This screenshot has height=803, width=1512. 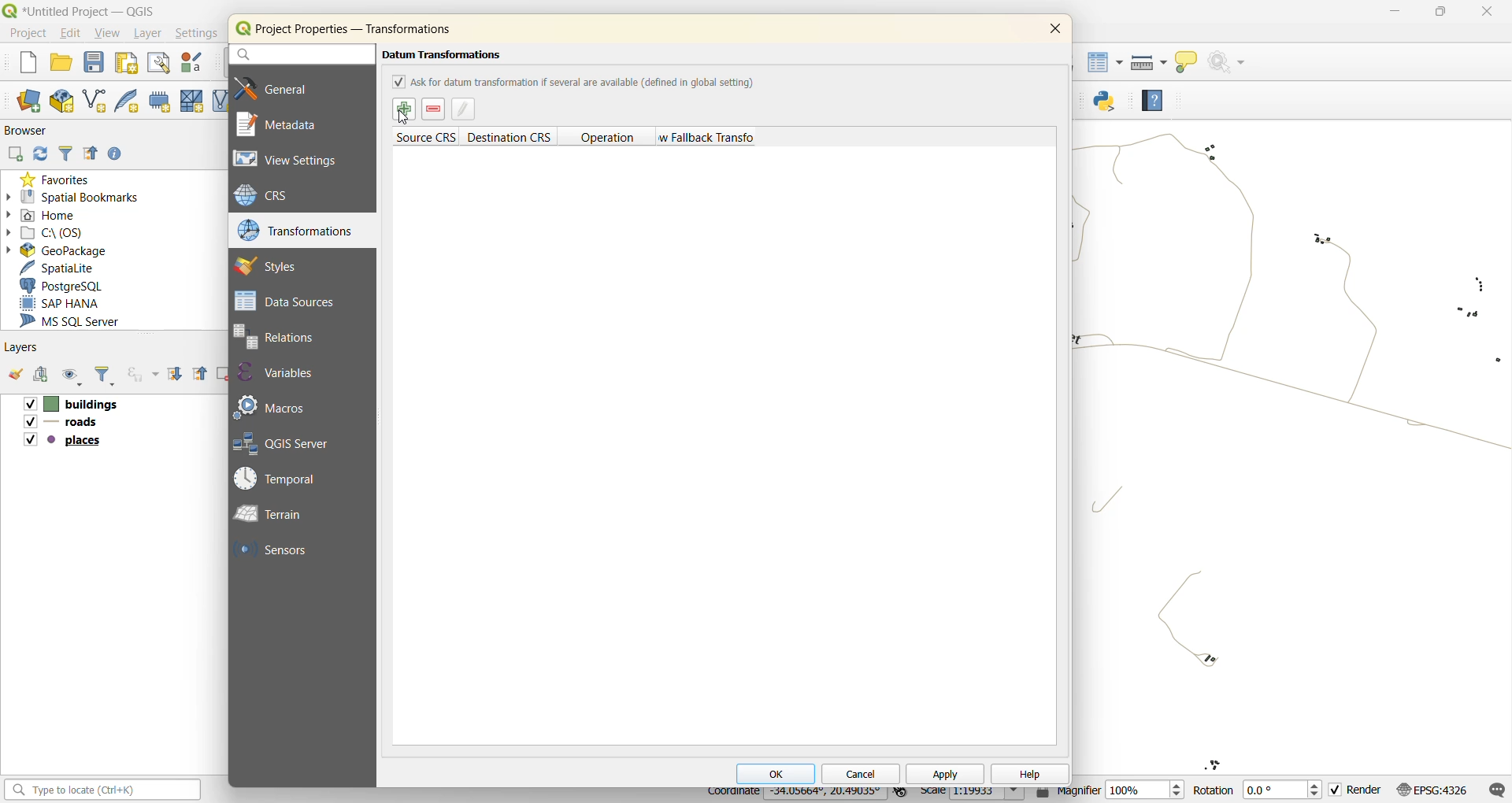 I want to click on attributes table, so click(x=1106, y=67).